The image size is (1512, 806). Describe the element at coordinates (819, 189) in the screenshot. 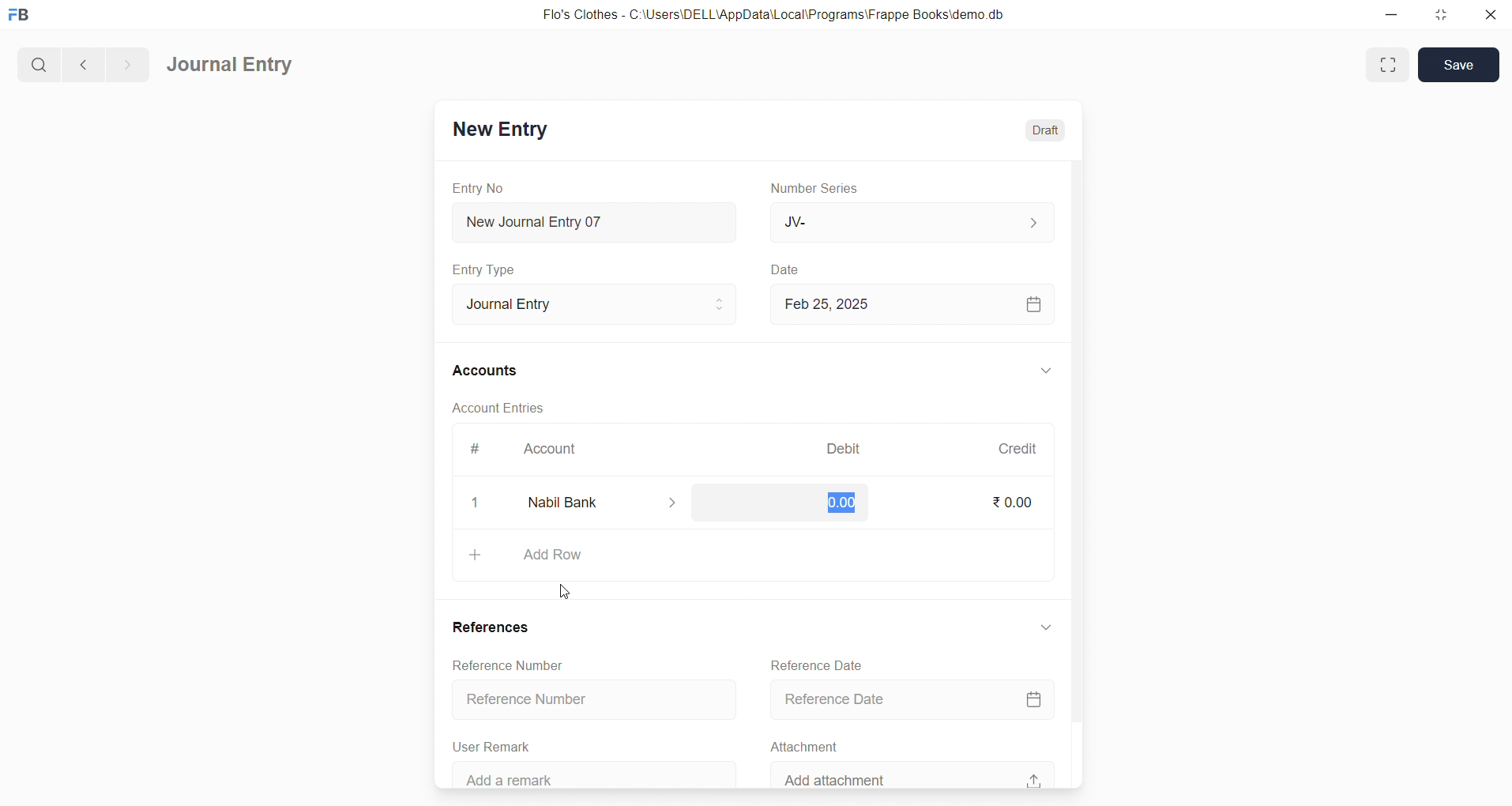

I see `Number Series` at that location.